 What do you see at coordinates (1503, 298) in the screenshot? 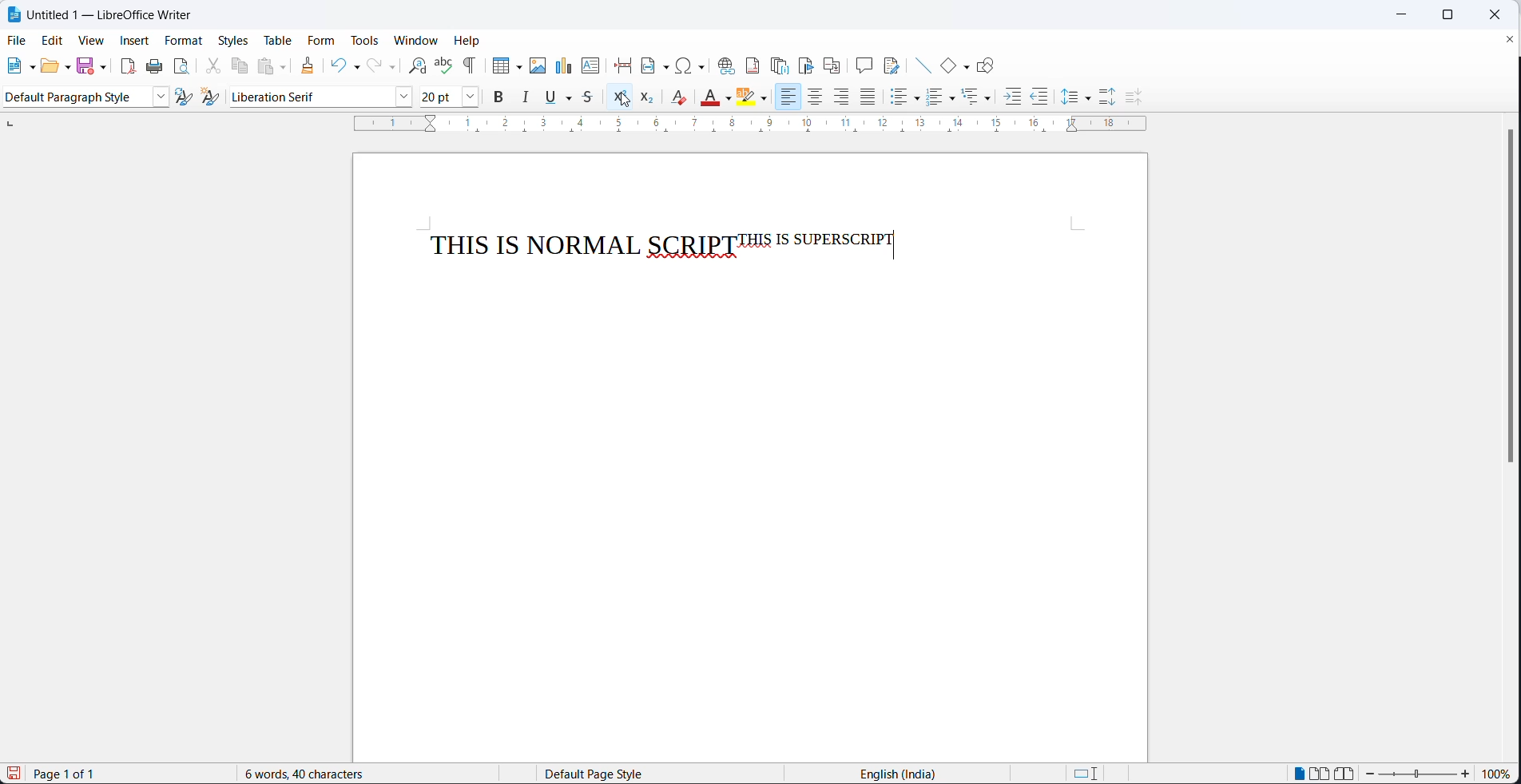
I see `scroll bar` at bounding box center [1503, 298].